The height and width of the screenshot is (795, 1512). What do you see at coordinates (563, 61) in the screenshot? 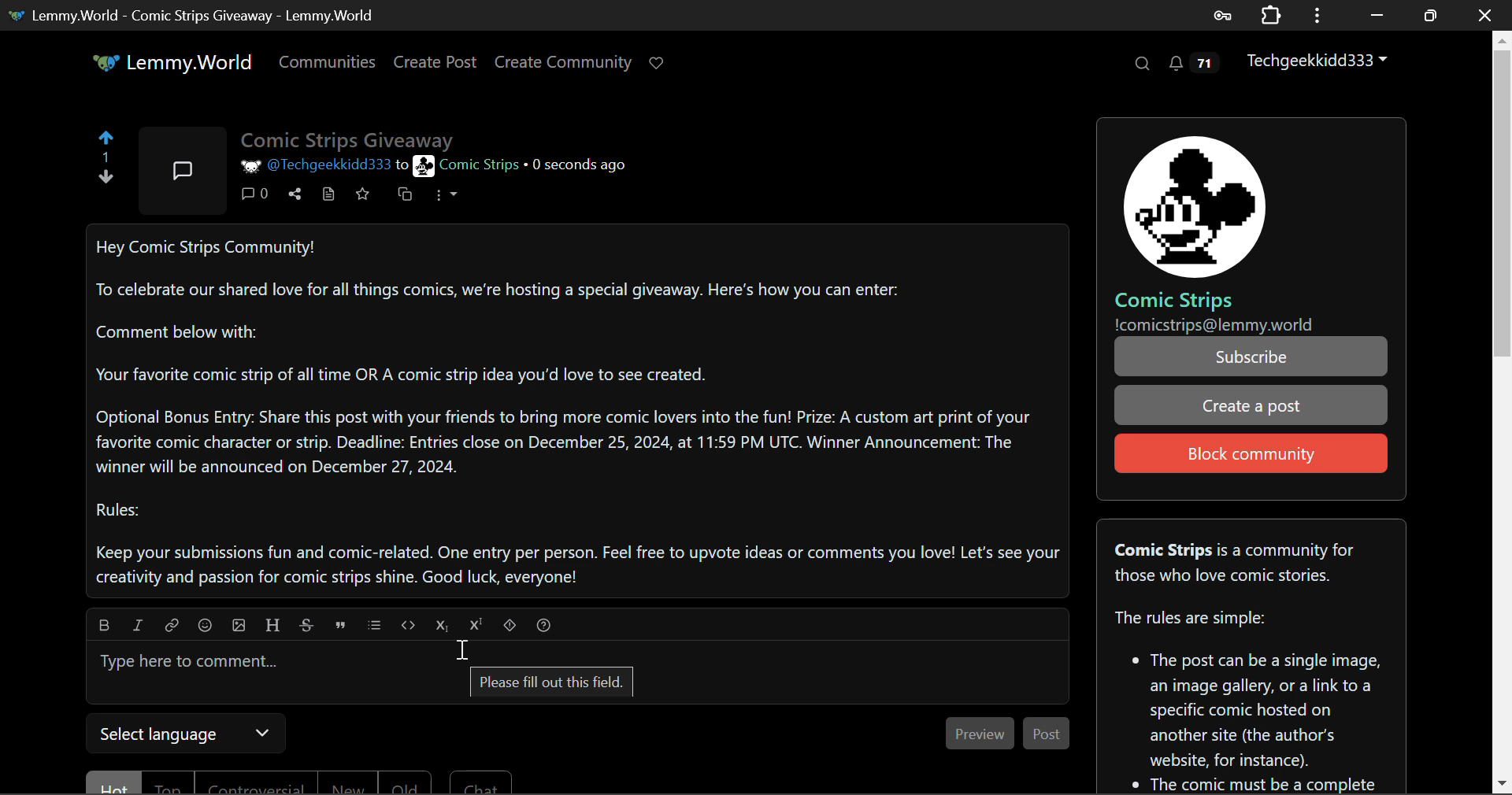
I see `Create Community` at bounding box center [563, 61].